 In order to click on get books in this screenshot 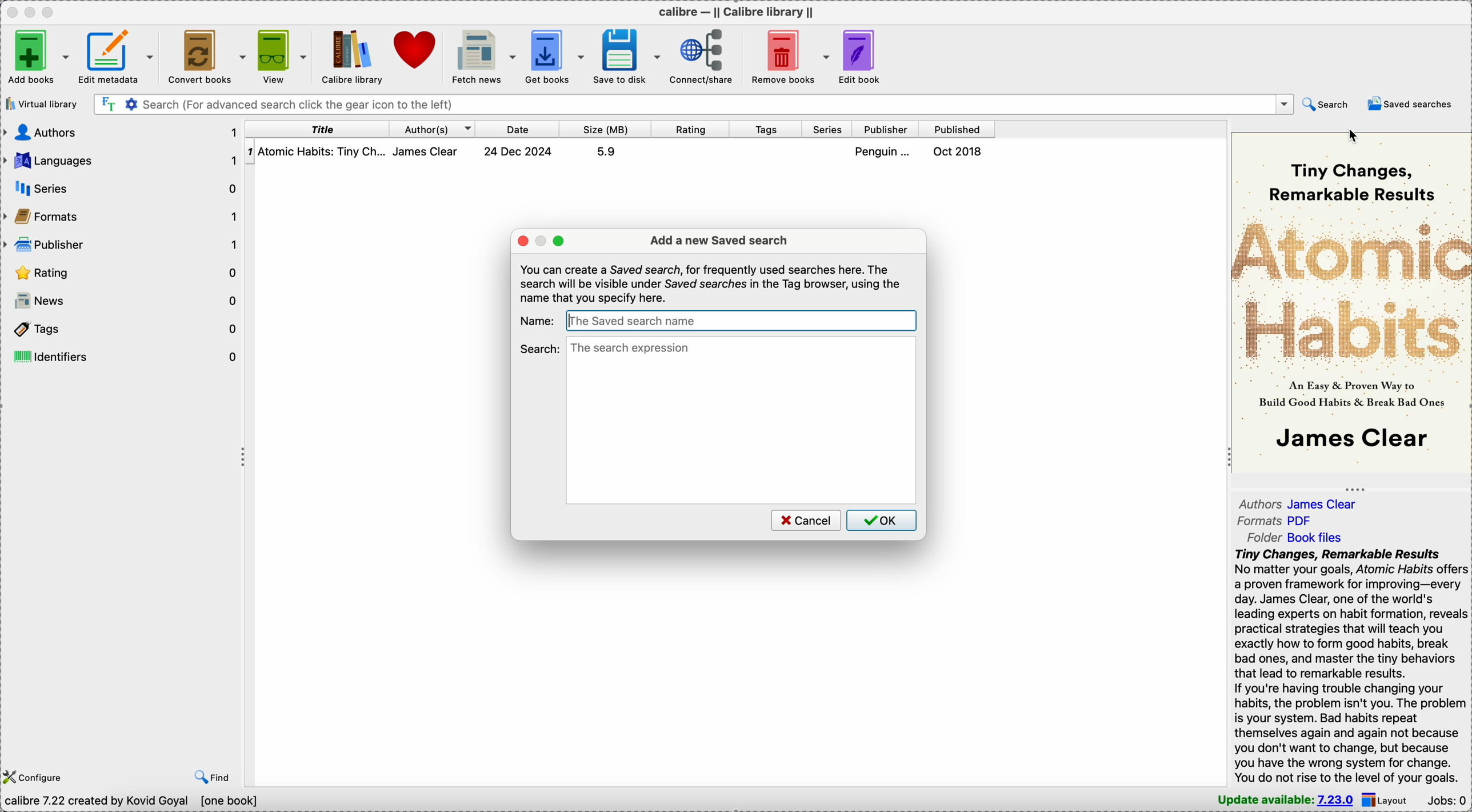, I will do `click(557, 55)`.